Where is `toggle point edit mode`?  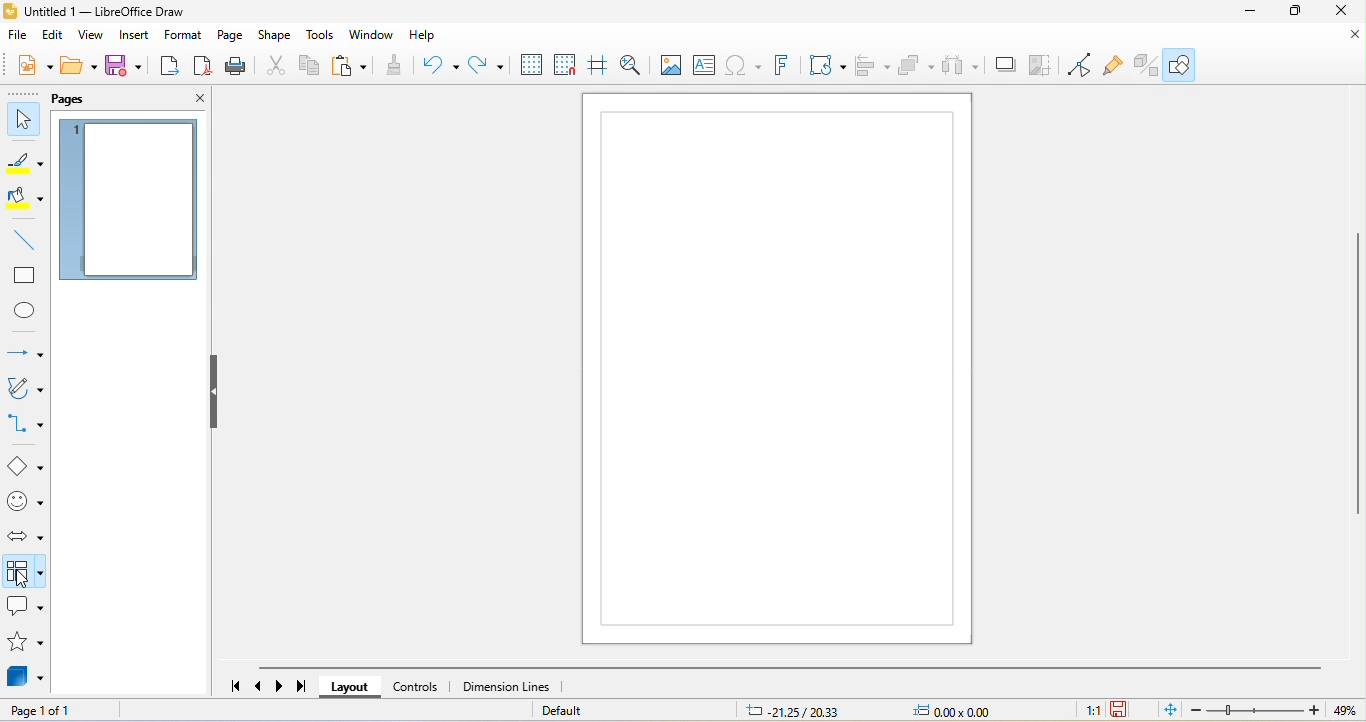
toggle point edit mode is located at coordinates (1084, 66).